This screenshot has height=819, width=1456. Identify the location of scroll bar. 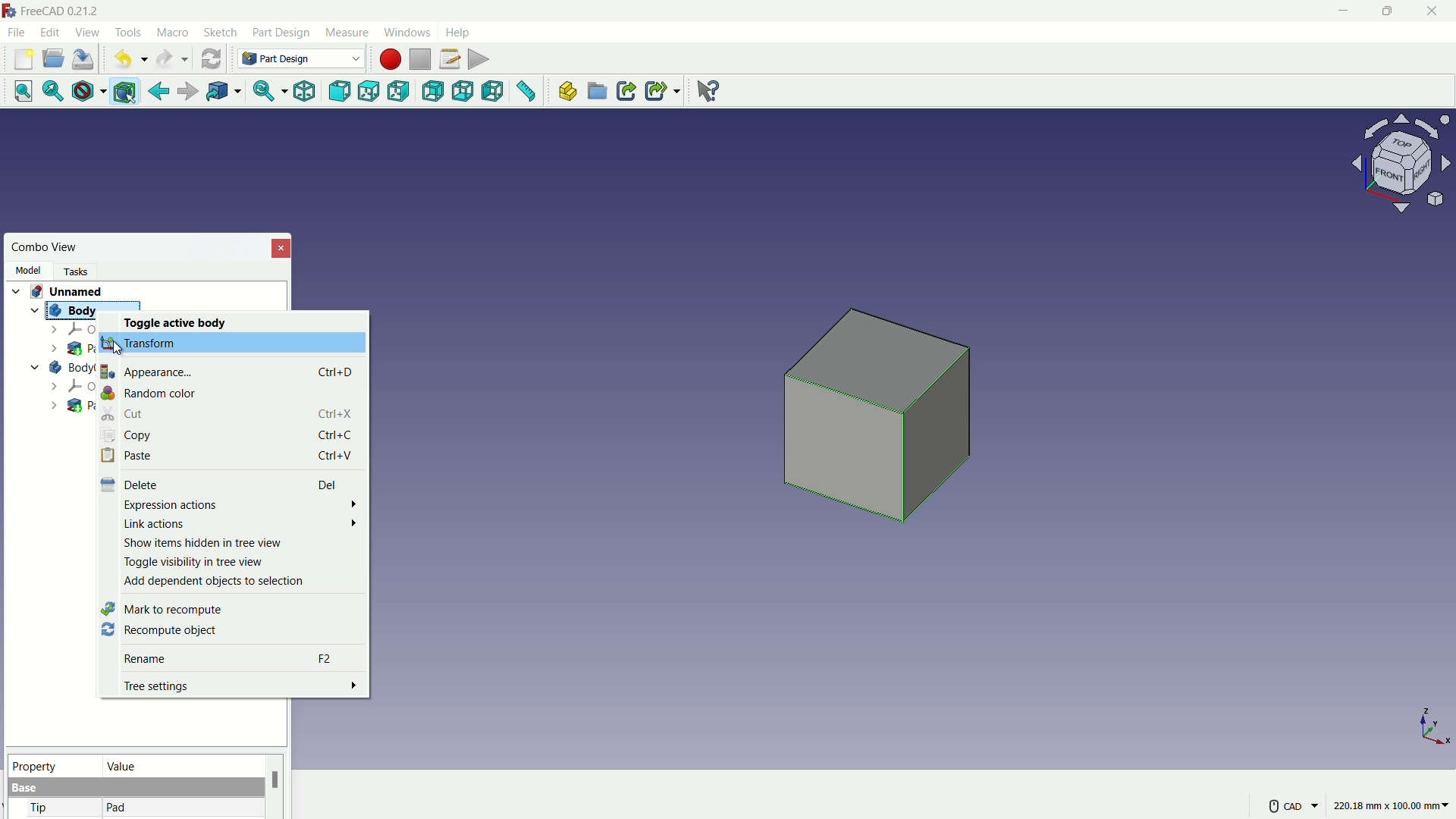
(275, 786).